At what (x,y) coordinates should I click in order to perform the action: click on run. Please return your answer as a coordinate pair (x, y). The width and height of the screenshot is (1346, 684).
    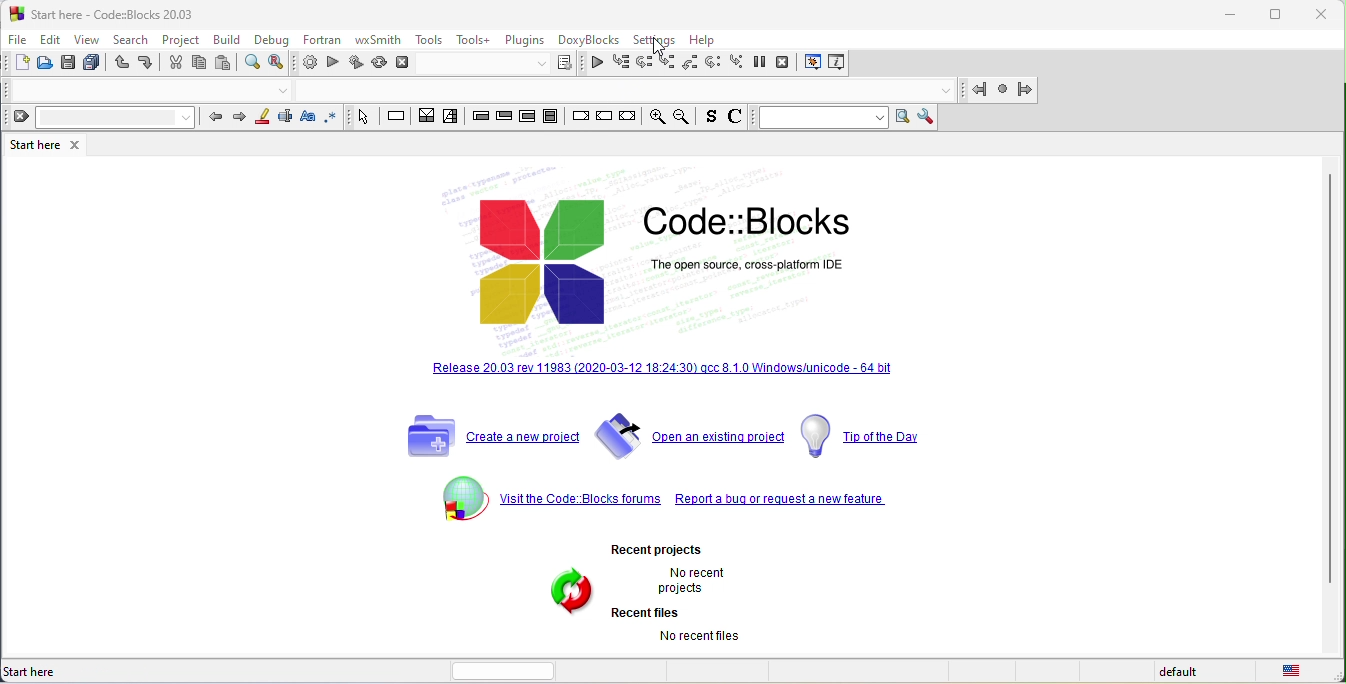
    Looking at the image, I should click on (336, 64).